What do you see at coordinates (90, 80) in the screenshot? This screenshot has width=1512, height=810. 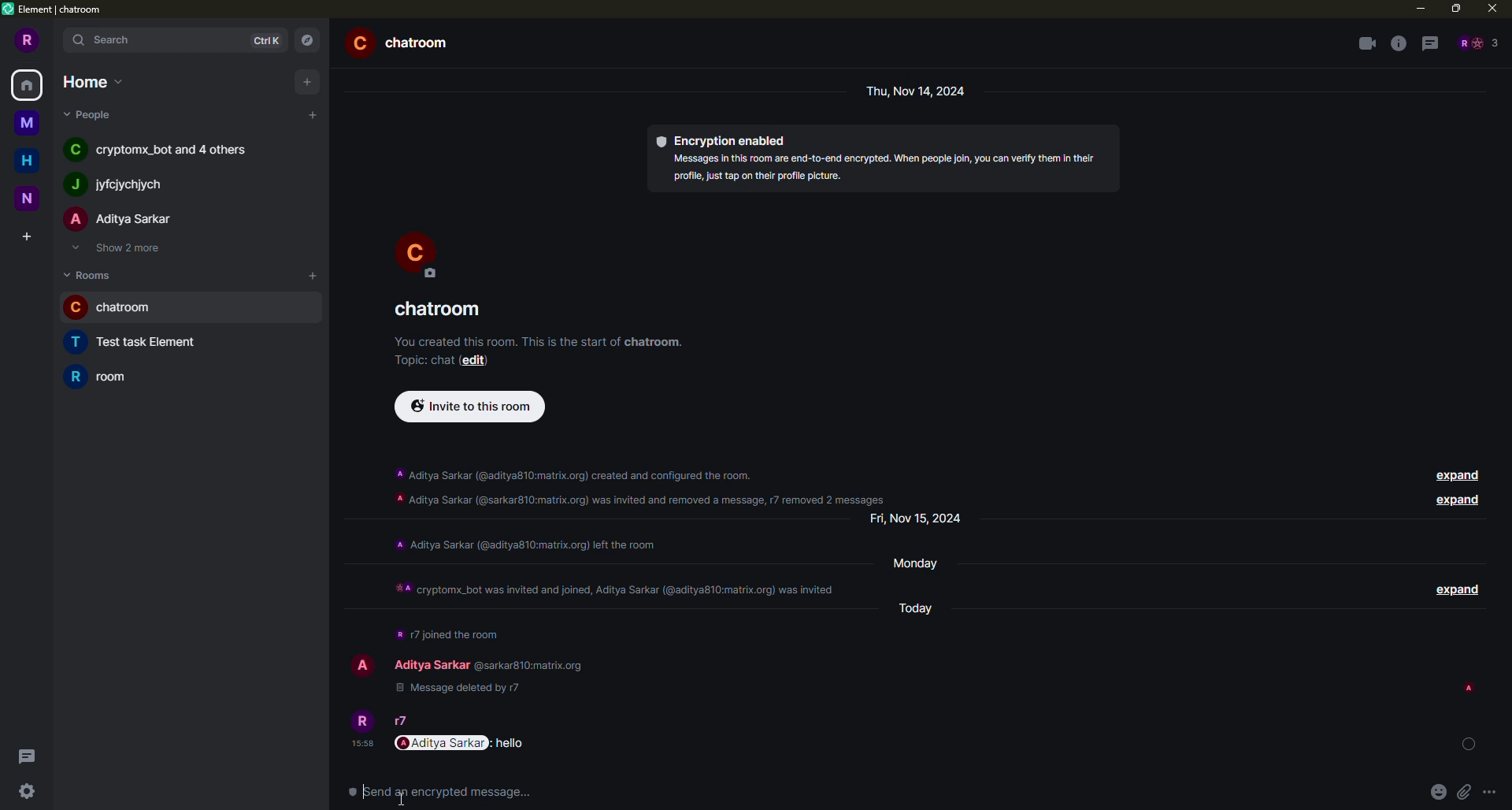 I see `home` at bounding box center [90, 80].